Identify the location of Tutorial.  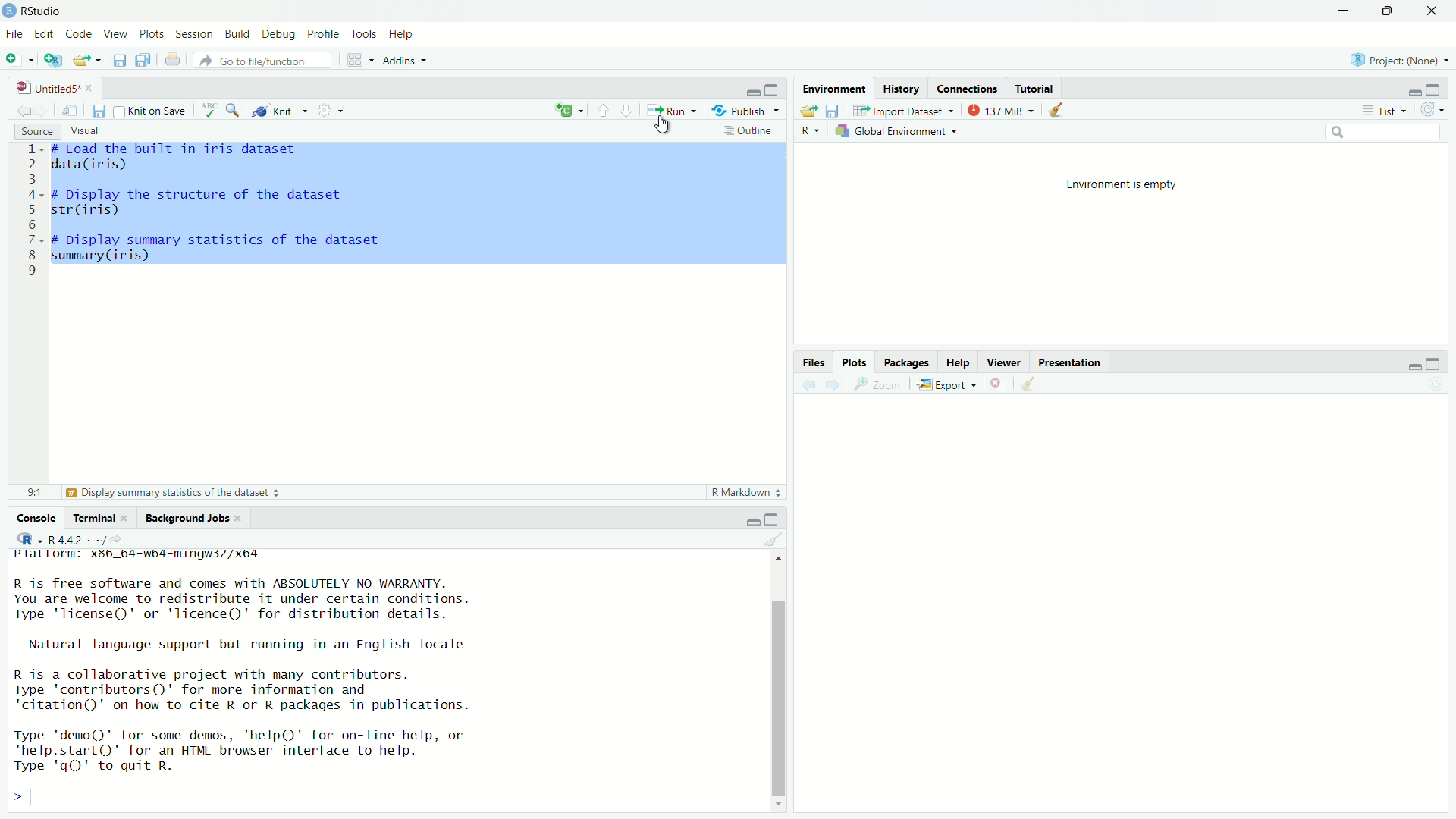
(1035, 86).